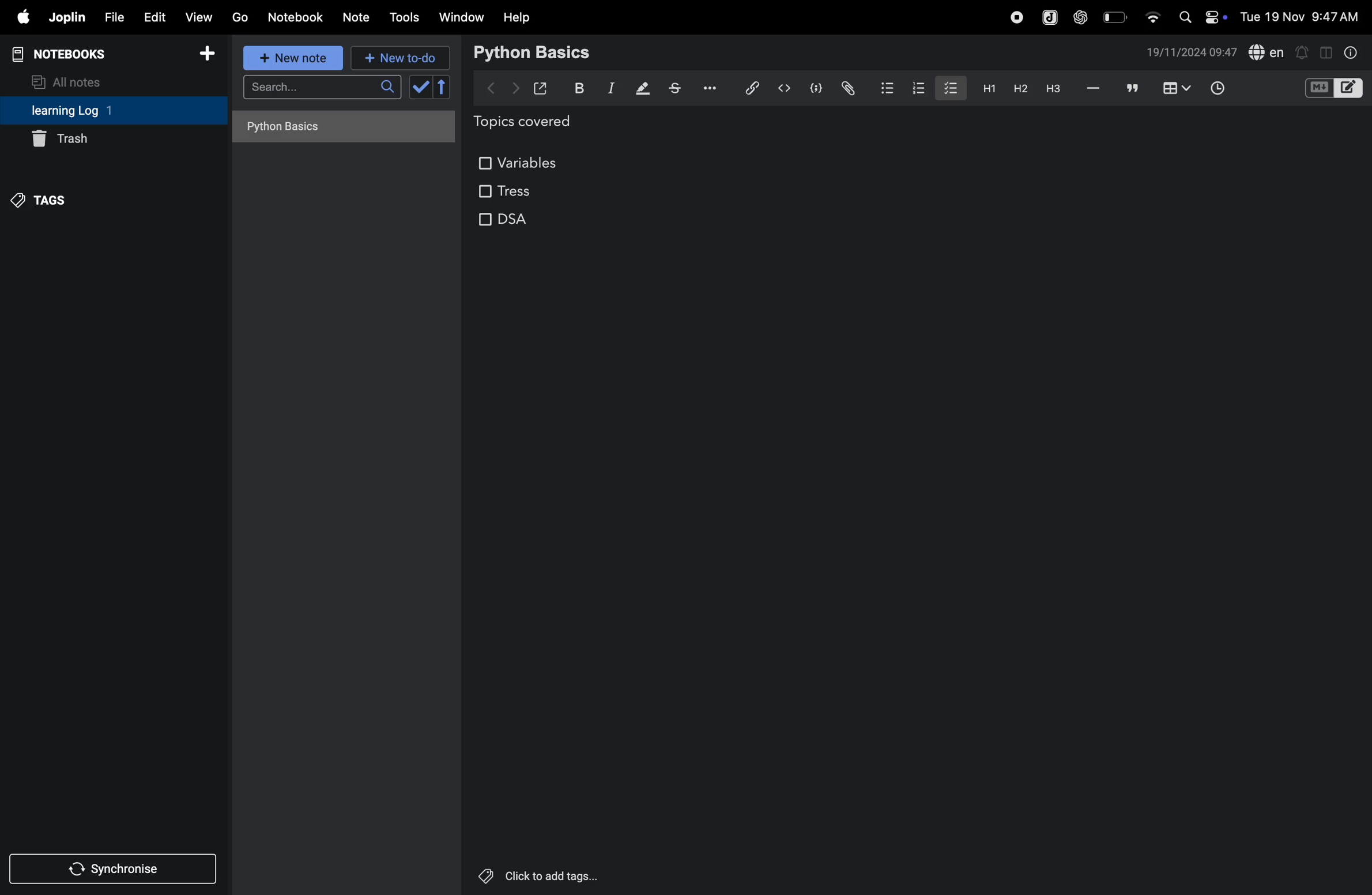  Describe the element at coordinates (290, 58) in the screenshot. I see `new note` at that location.